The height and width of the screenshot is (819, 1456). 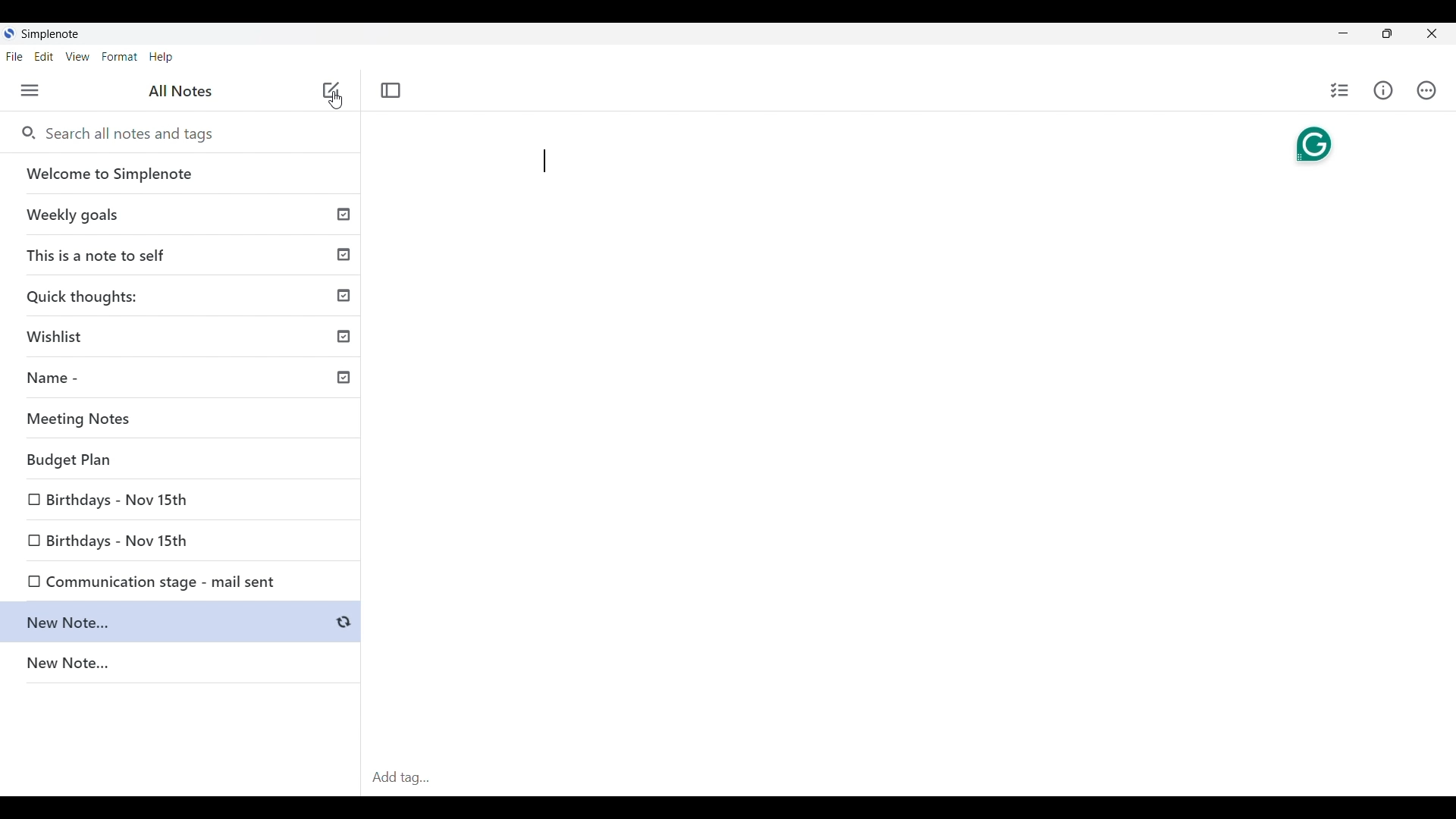 What do you see at coordinates (186, 334) in the screenshot?
I see `Wishlist` at bounding box center [186, 334].